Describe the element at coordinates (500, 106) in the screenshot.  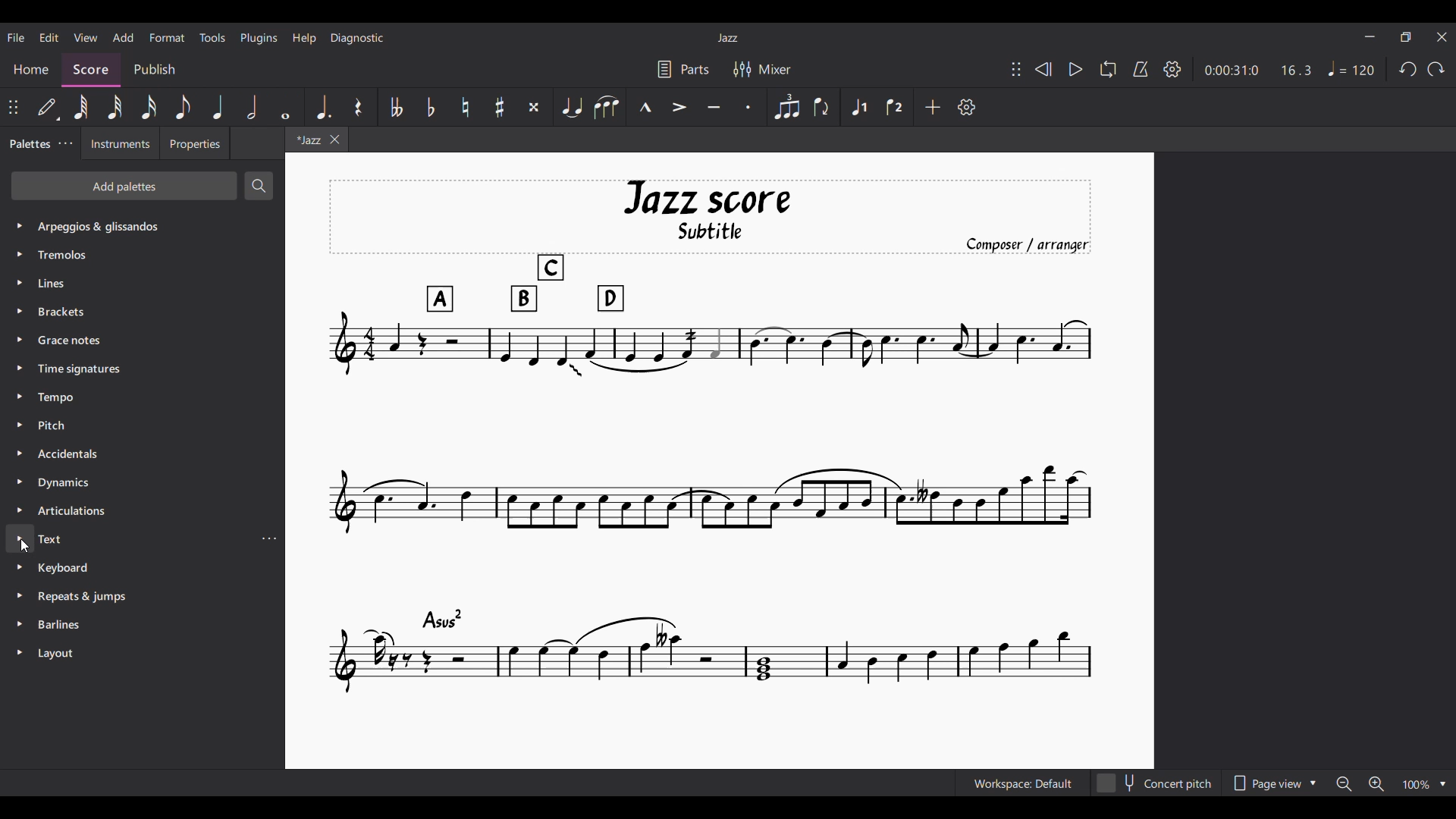
I see `Toggle sharp` at that location.